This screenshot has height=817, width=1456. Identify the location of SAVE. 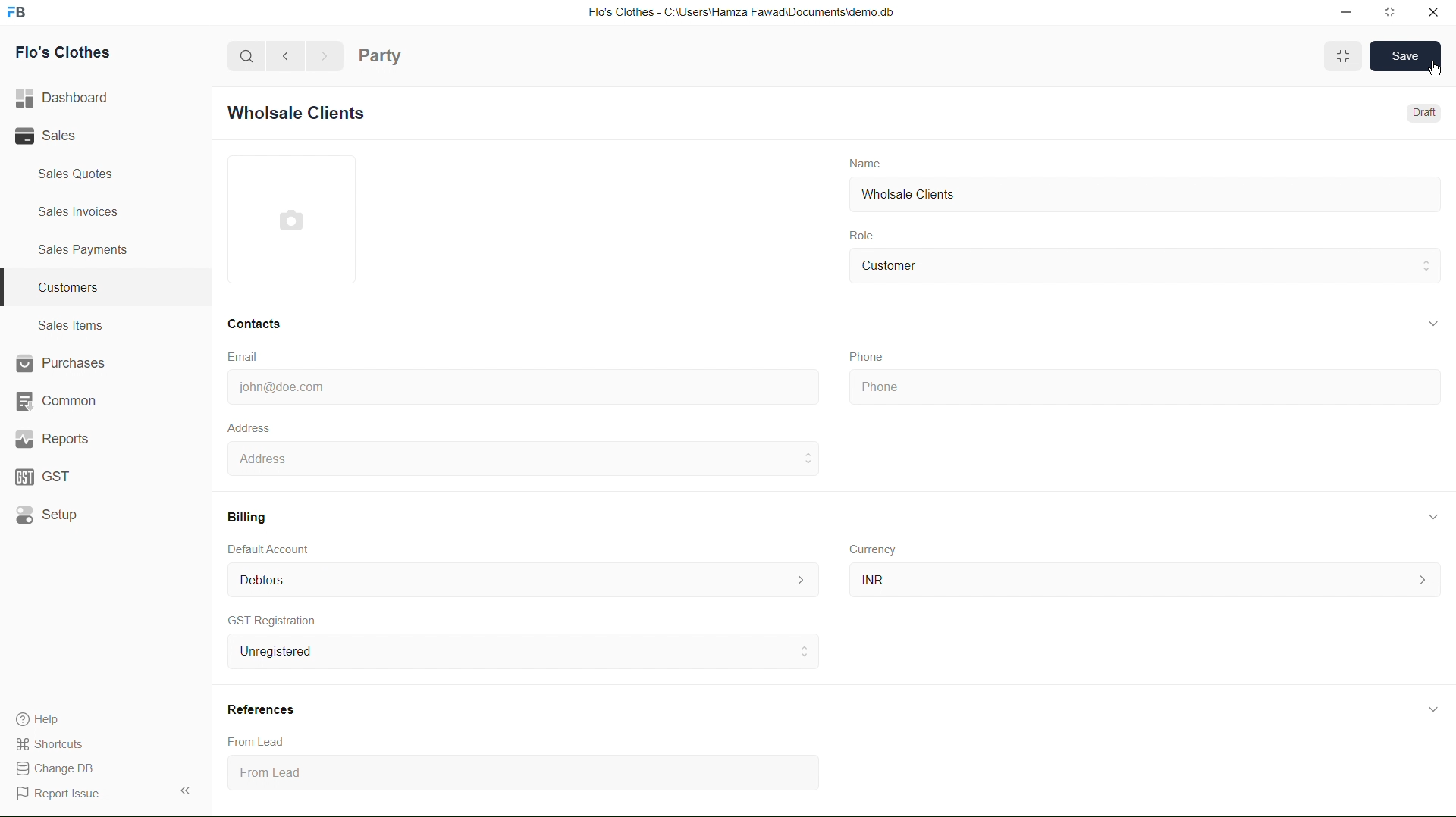
(1398, 57).